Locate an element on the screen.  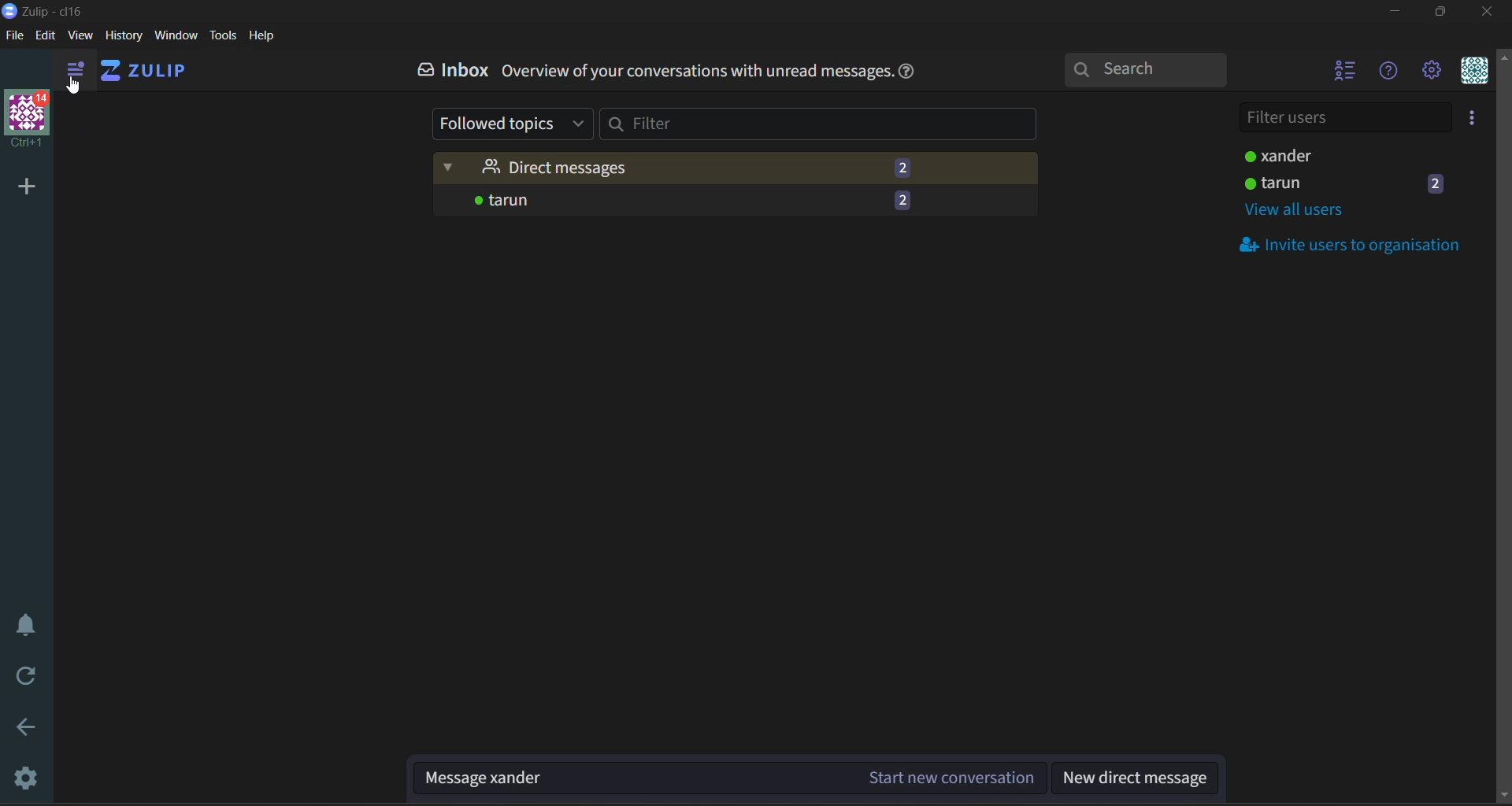
users status active is located at coordinates (1340, 154).